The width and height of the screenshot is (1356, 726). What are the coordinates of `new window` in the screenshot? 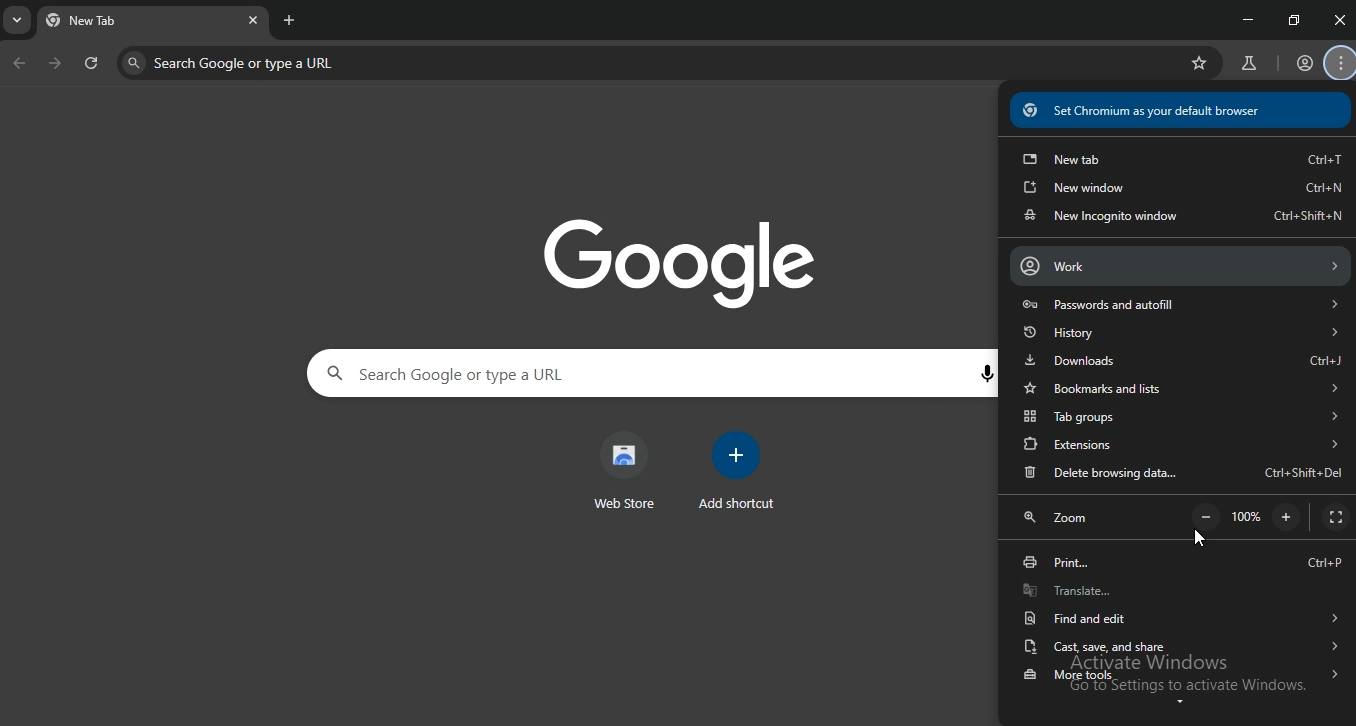 It's located at (1181, 190).